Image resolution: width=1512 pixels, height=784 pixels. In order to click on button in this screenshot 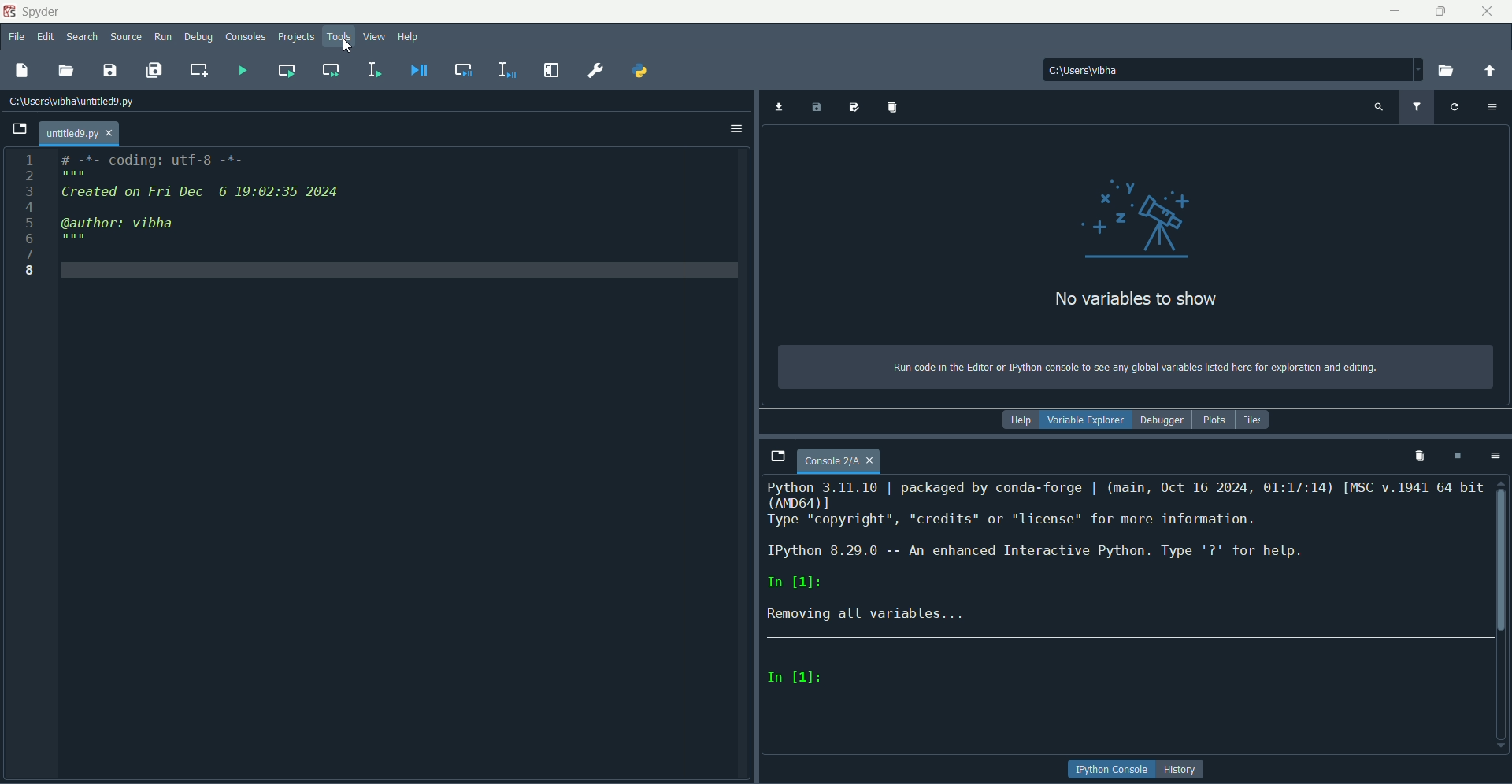, I will do `click(1112, 770)`.